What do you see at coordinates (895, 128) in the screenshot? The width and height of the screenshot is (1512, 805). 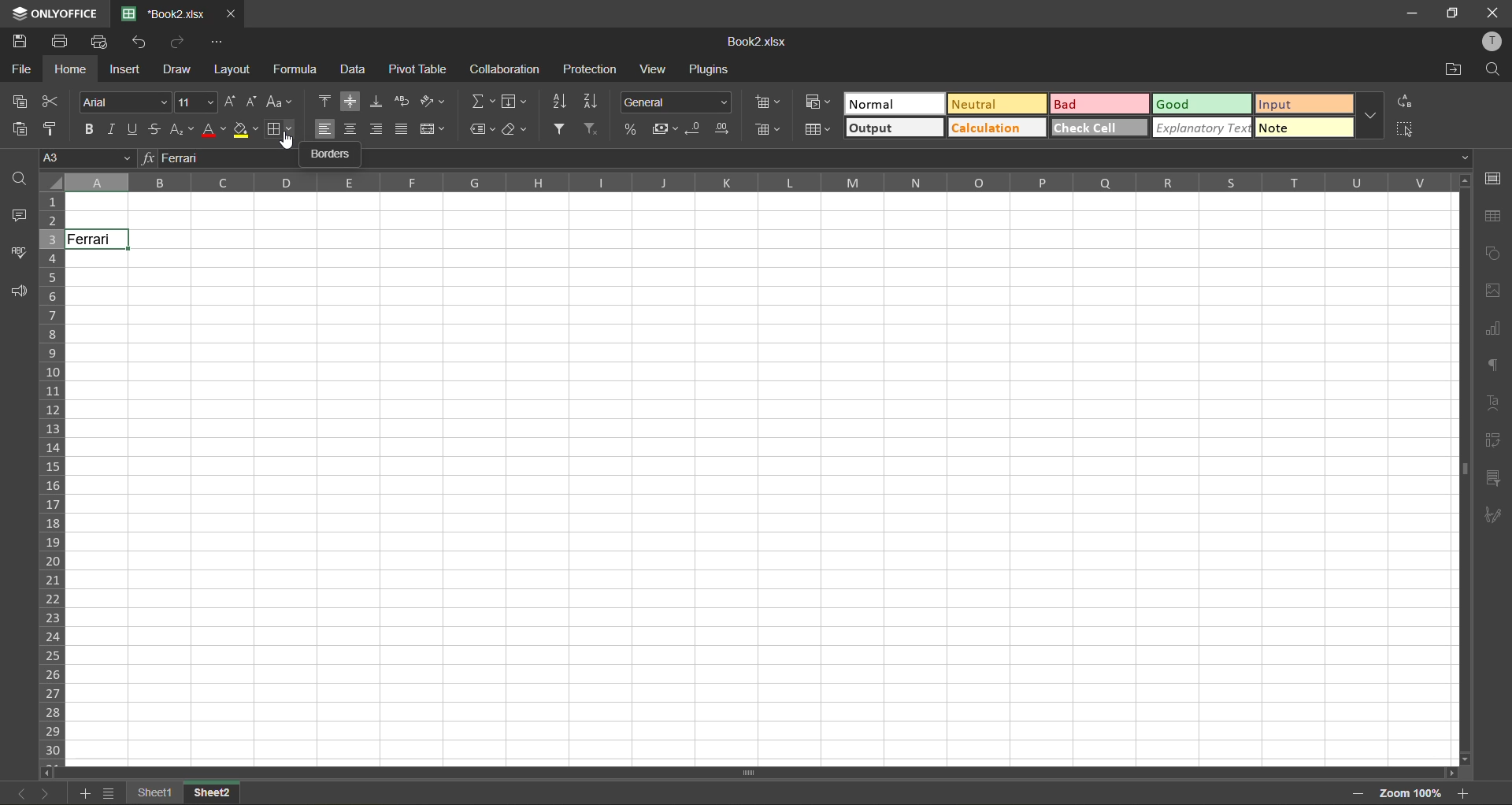 I see `output` at bounding box center [895, 128].